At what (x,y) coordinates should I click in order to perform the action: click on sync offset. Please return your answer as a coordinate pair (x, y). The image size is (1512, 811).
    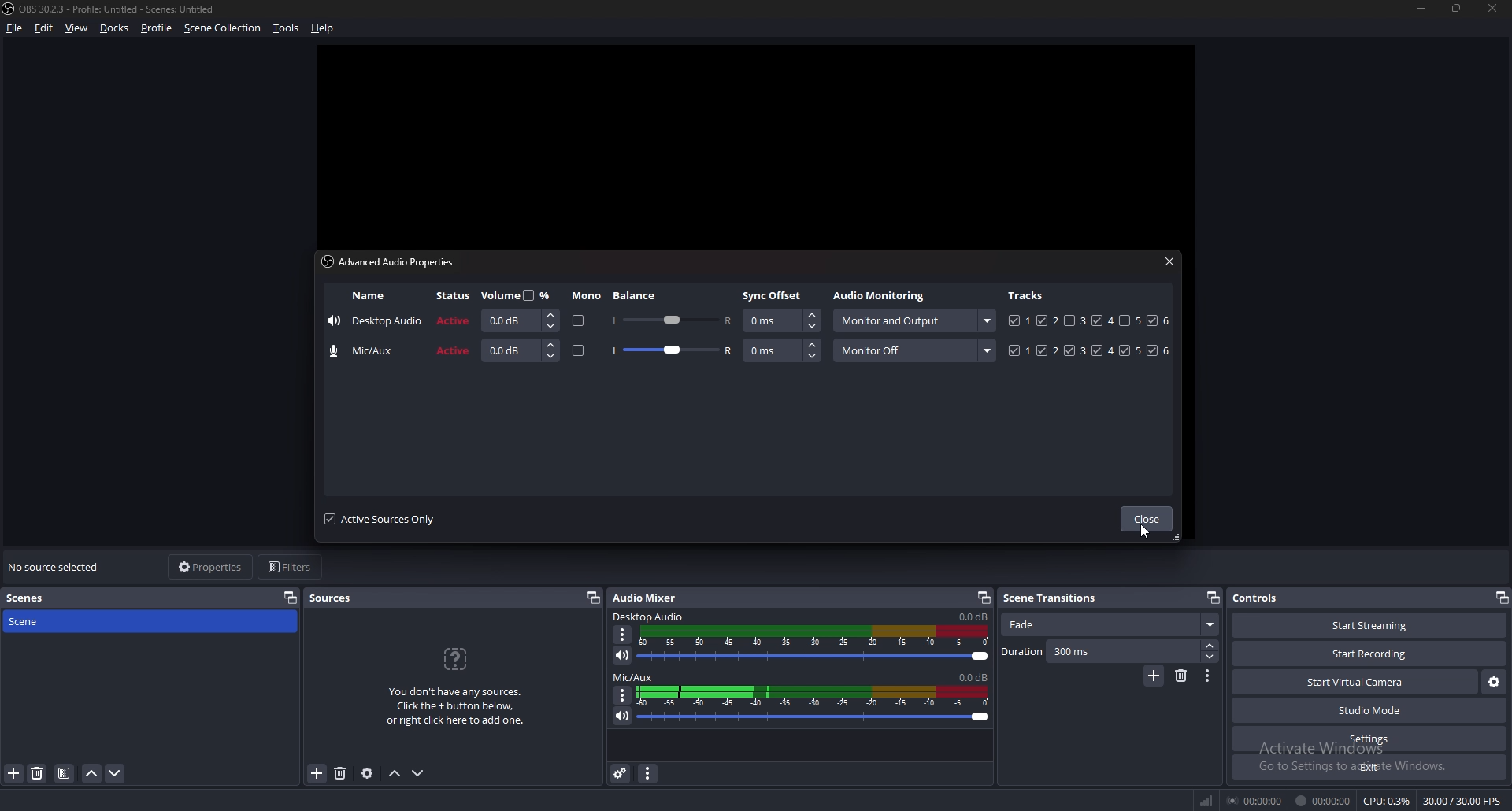
    Looking at the image, I should click on (774, 295).